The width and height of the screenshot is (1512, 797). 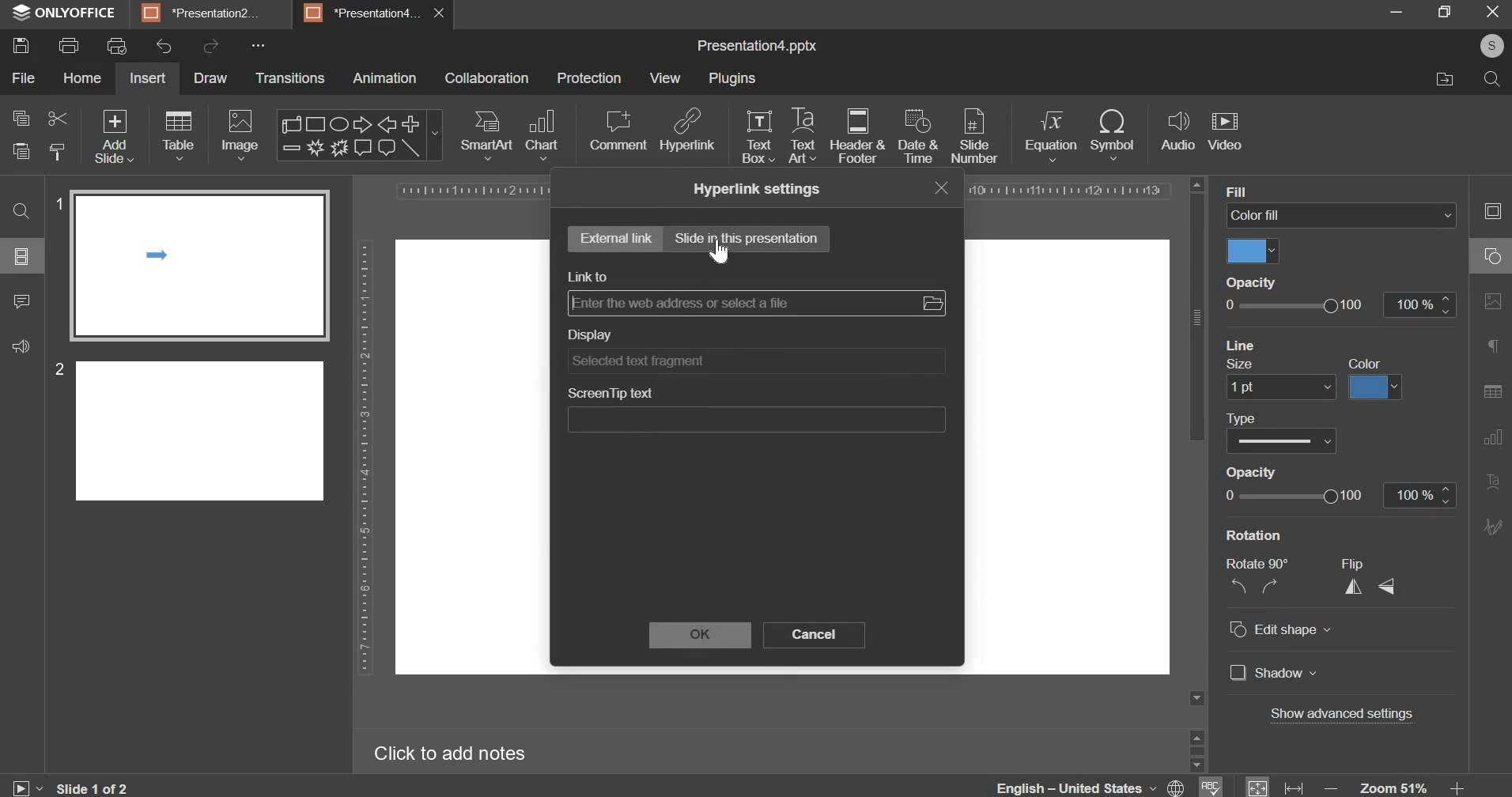 I want to click on vertical scale, so click(x=360, y=459).